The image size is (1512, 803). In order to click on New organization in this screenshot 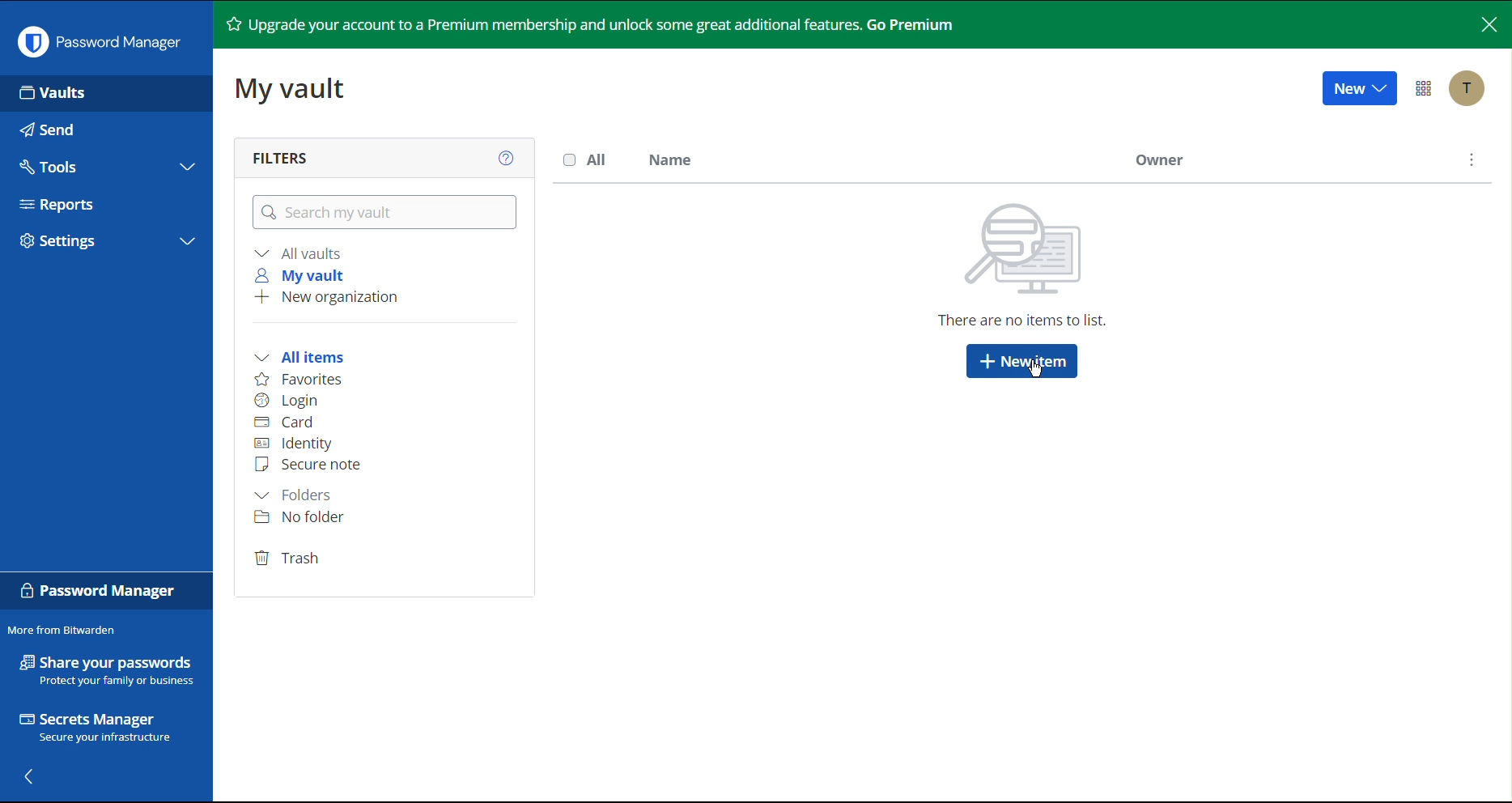, I will do `click(329, 296)`.